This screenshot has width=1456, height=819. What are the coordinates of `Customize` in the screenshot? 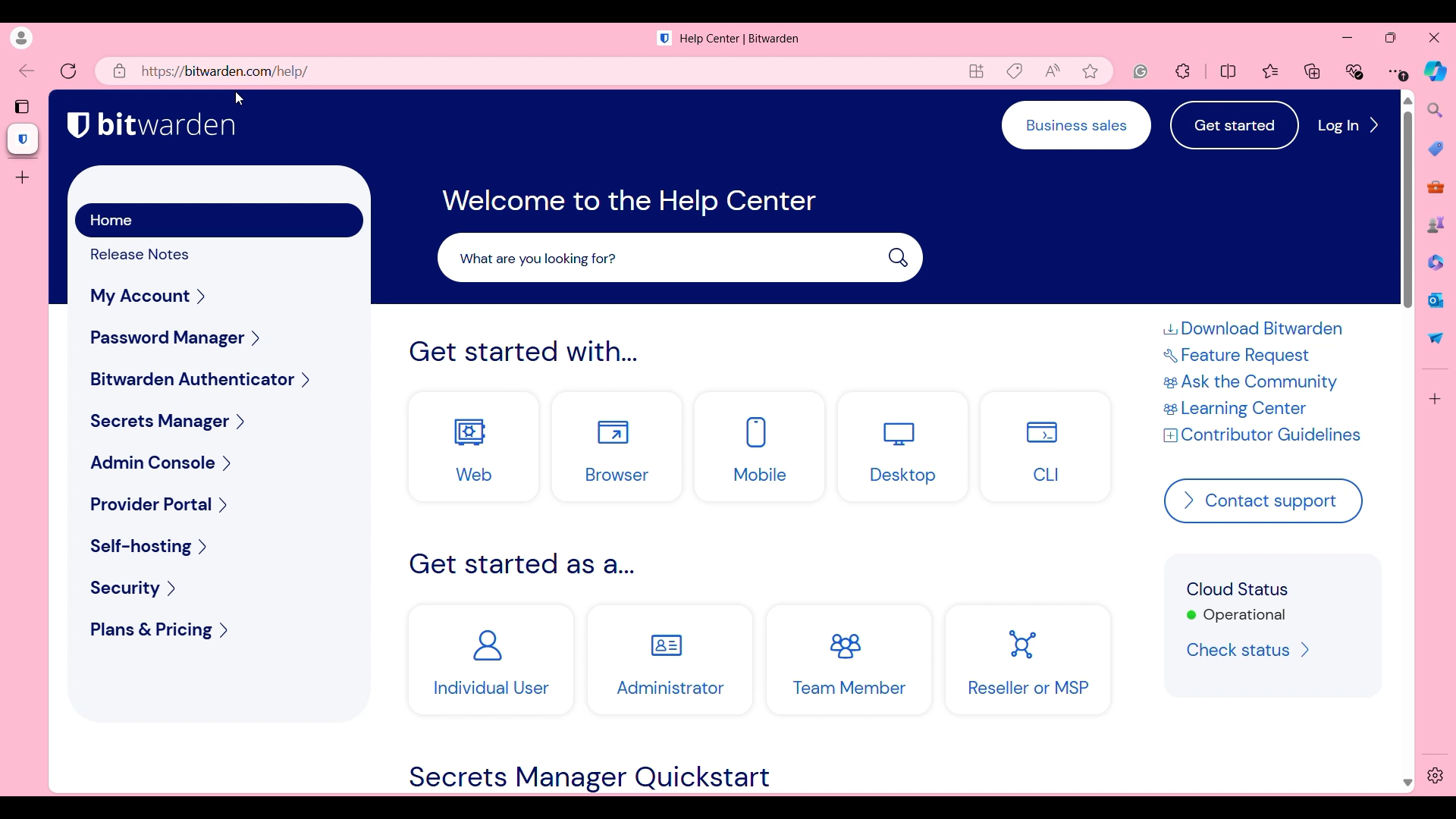 It's located at (1436, 399).